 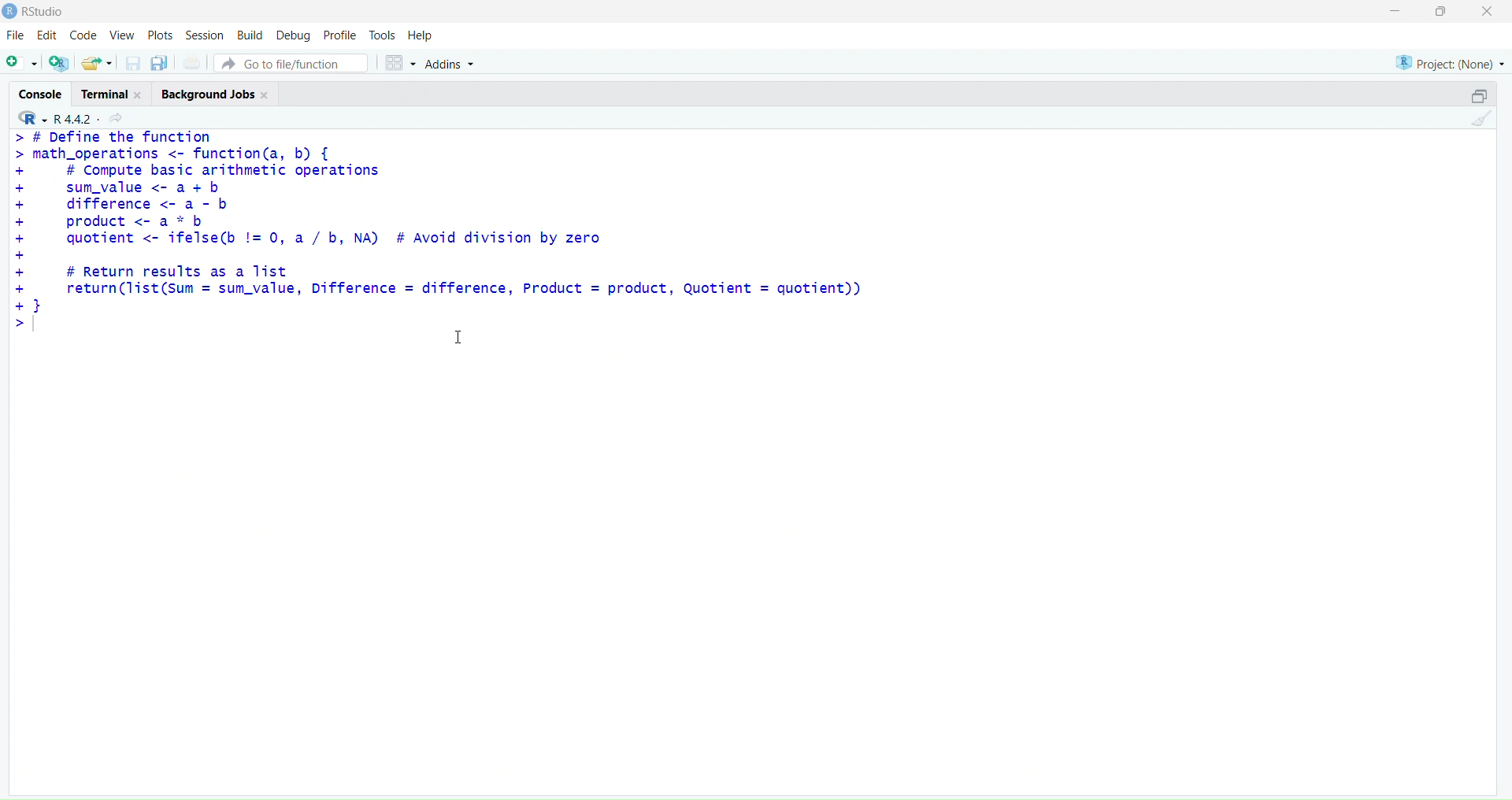 What do you see at coordinates (158, 61) in the screenshot?
I see `Save all open documents (Ctrl + Alt + S)` at bounding box center [158, 61].